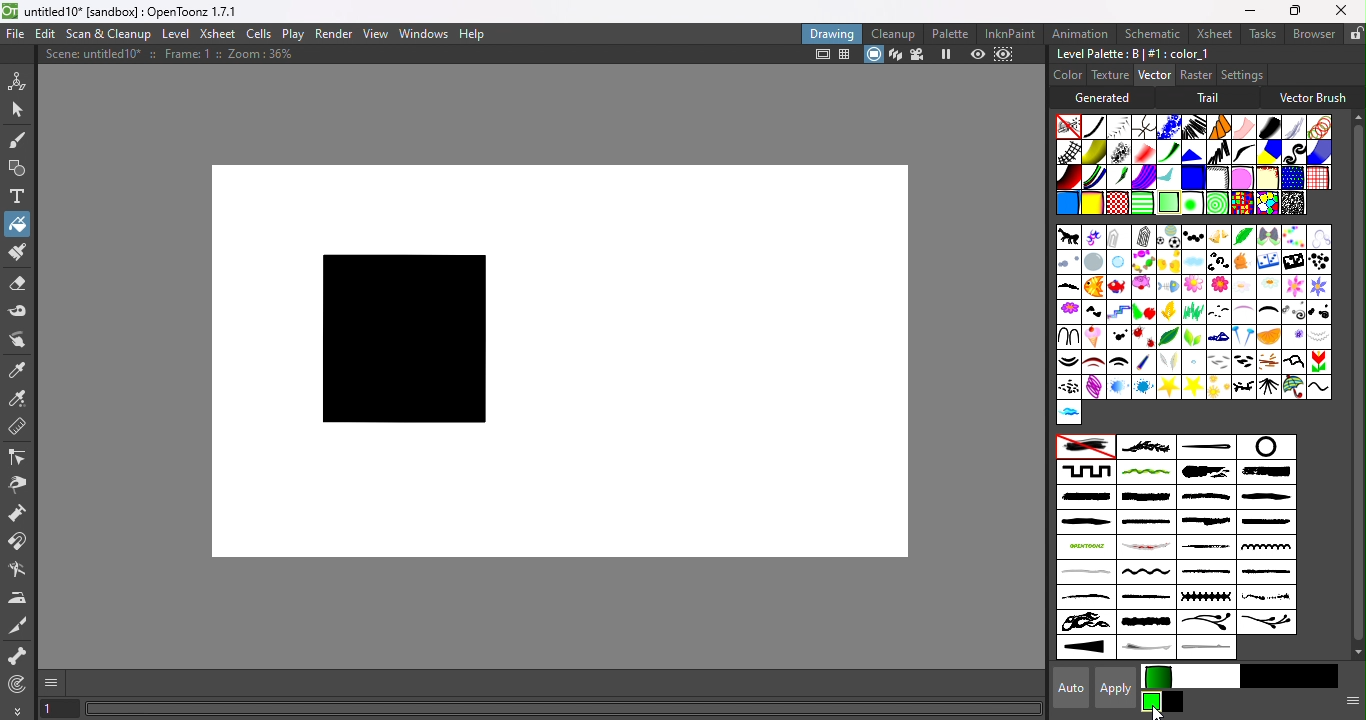  Describe the element at coordinates (1119, 152) in the screenshot. I see `Chalk` at that location.